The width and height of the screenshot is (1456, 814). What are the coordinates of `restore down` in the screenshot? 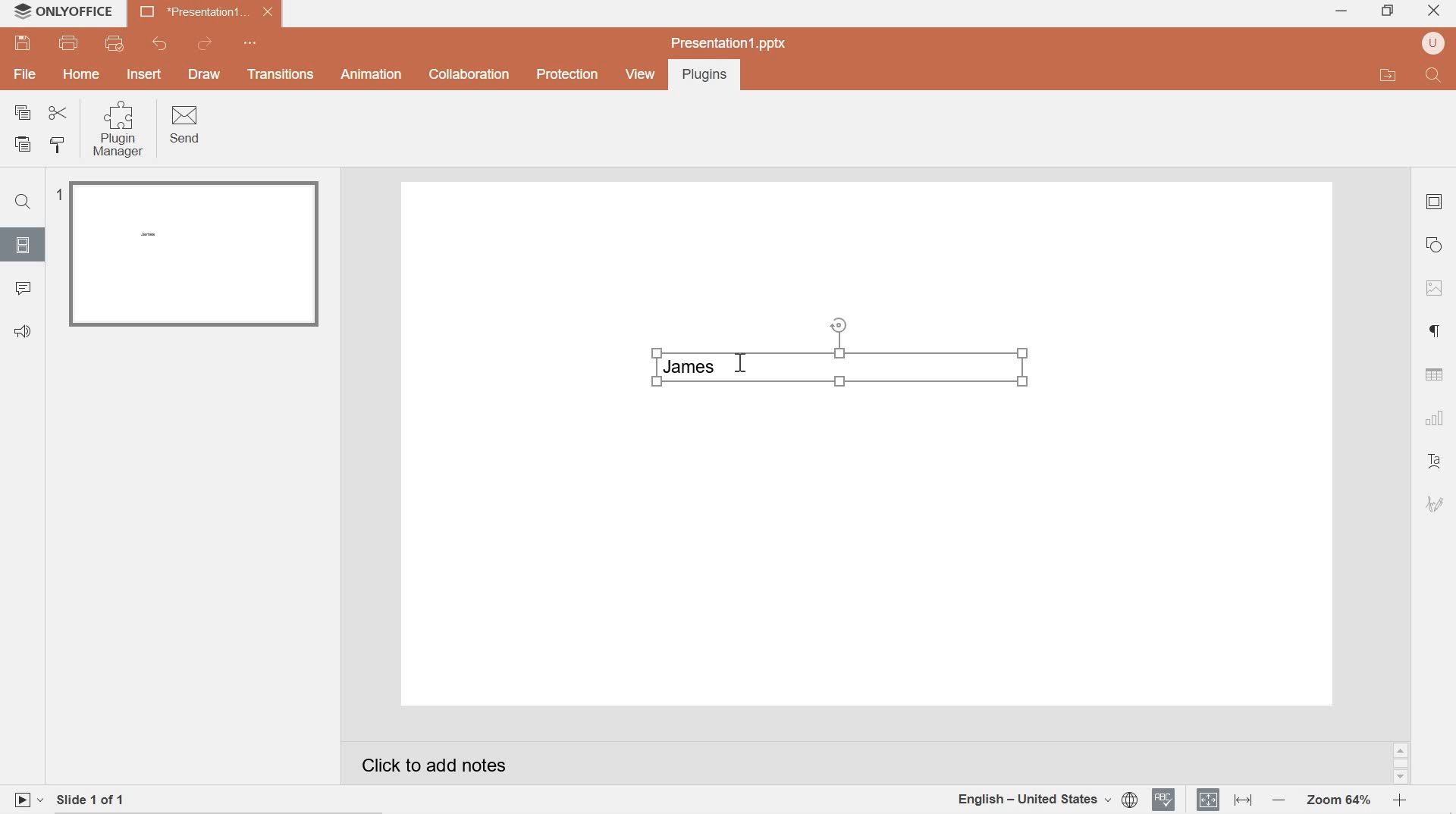 It's located at (1387, 9).